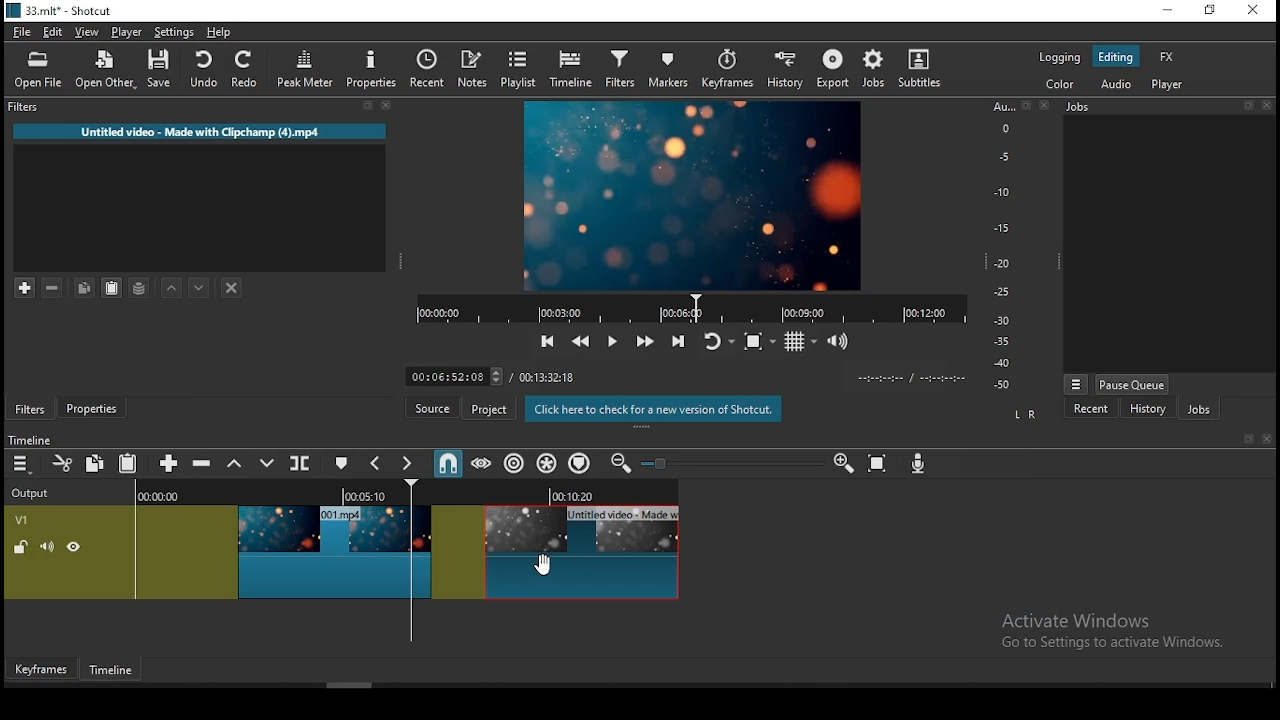 This screenshot has height=720, width=1280. What do you see at coordinates (21, 288) in the screenshot?
I see `add a filter` at bounding box center [21, 288].